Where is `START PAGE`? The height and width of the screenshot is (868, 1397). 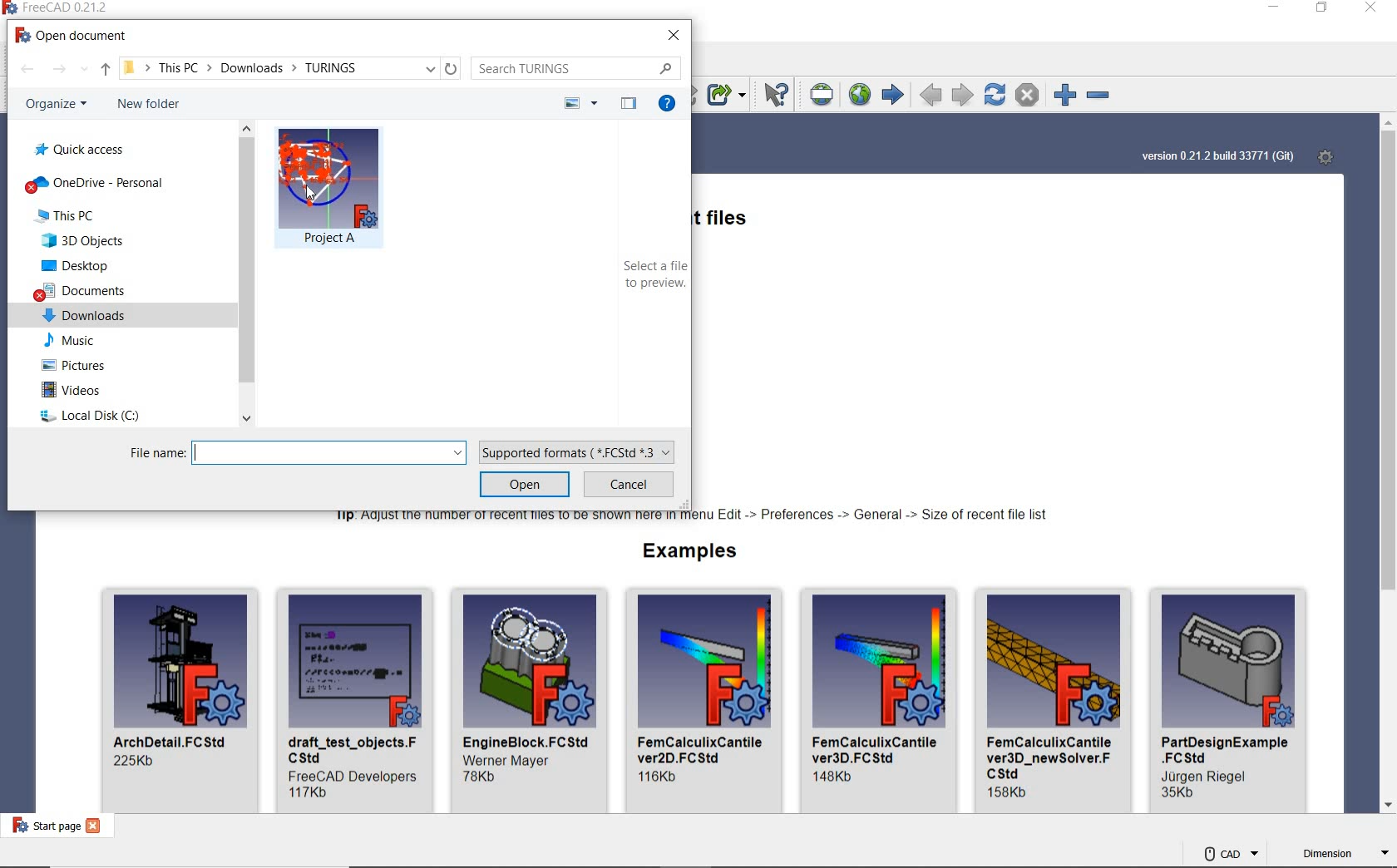 START PAGE is located at coordinates (892, 96).